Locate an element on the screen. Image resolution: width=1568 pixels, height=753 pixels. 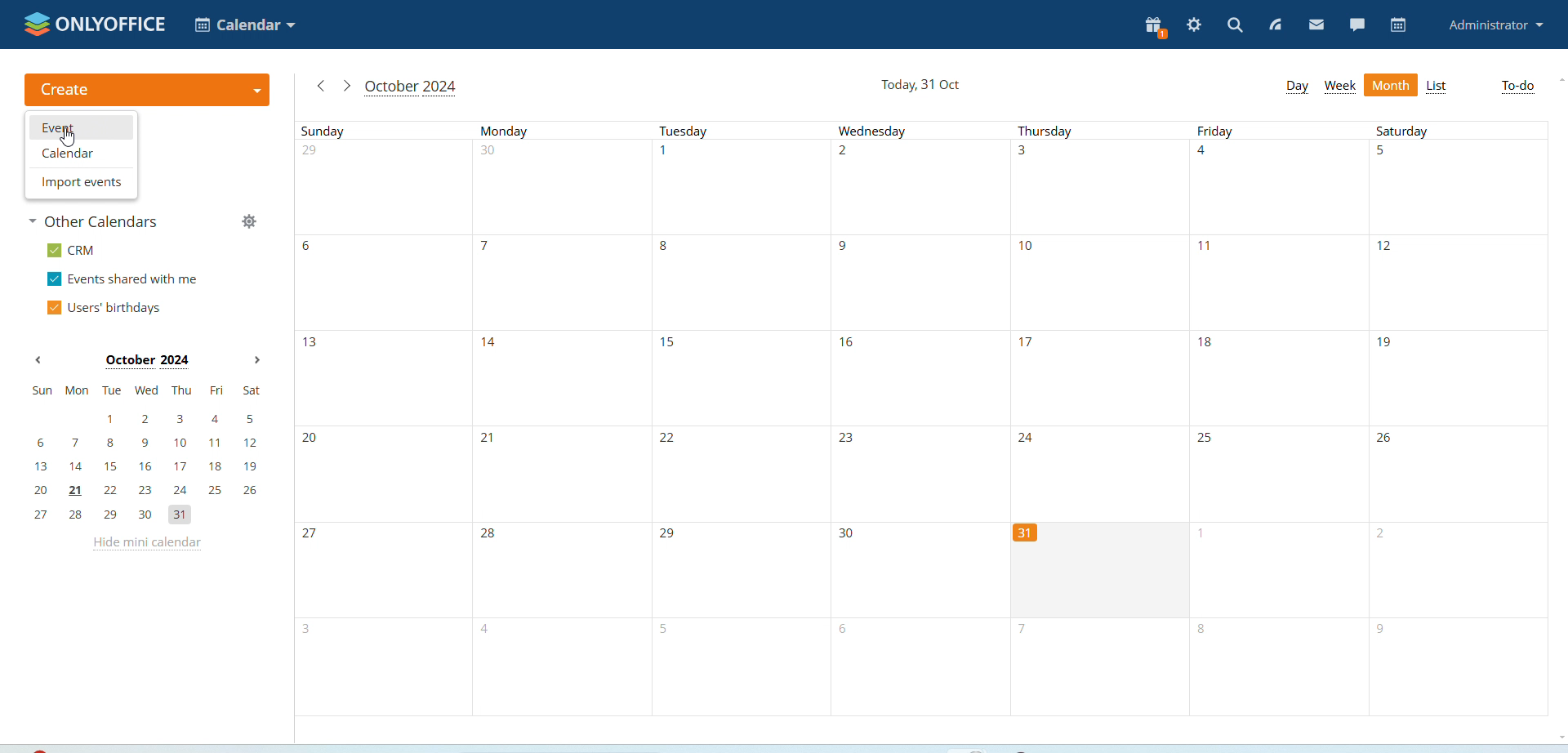
Thursday 7th november is located at coordinates (1100, 670).